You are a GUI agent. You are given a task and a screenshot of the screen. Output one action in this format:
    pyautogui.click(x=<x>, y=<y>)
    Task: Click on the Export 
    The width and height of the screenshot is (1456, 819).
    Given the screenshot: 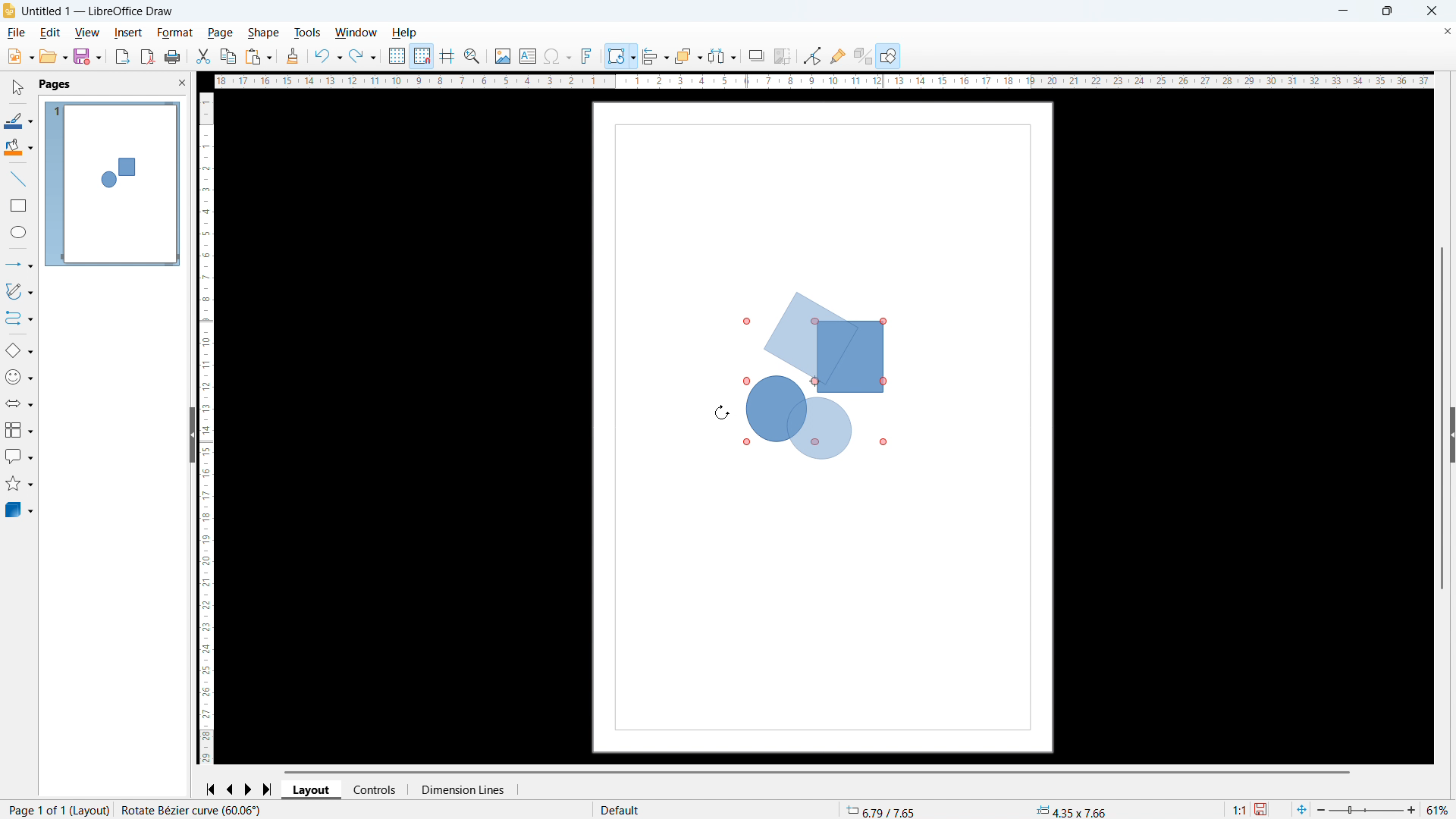 What is the action you would take?
    pyautogui.click(x=121, y=58)
    